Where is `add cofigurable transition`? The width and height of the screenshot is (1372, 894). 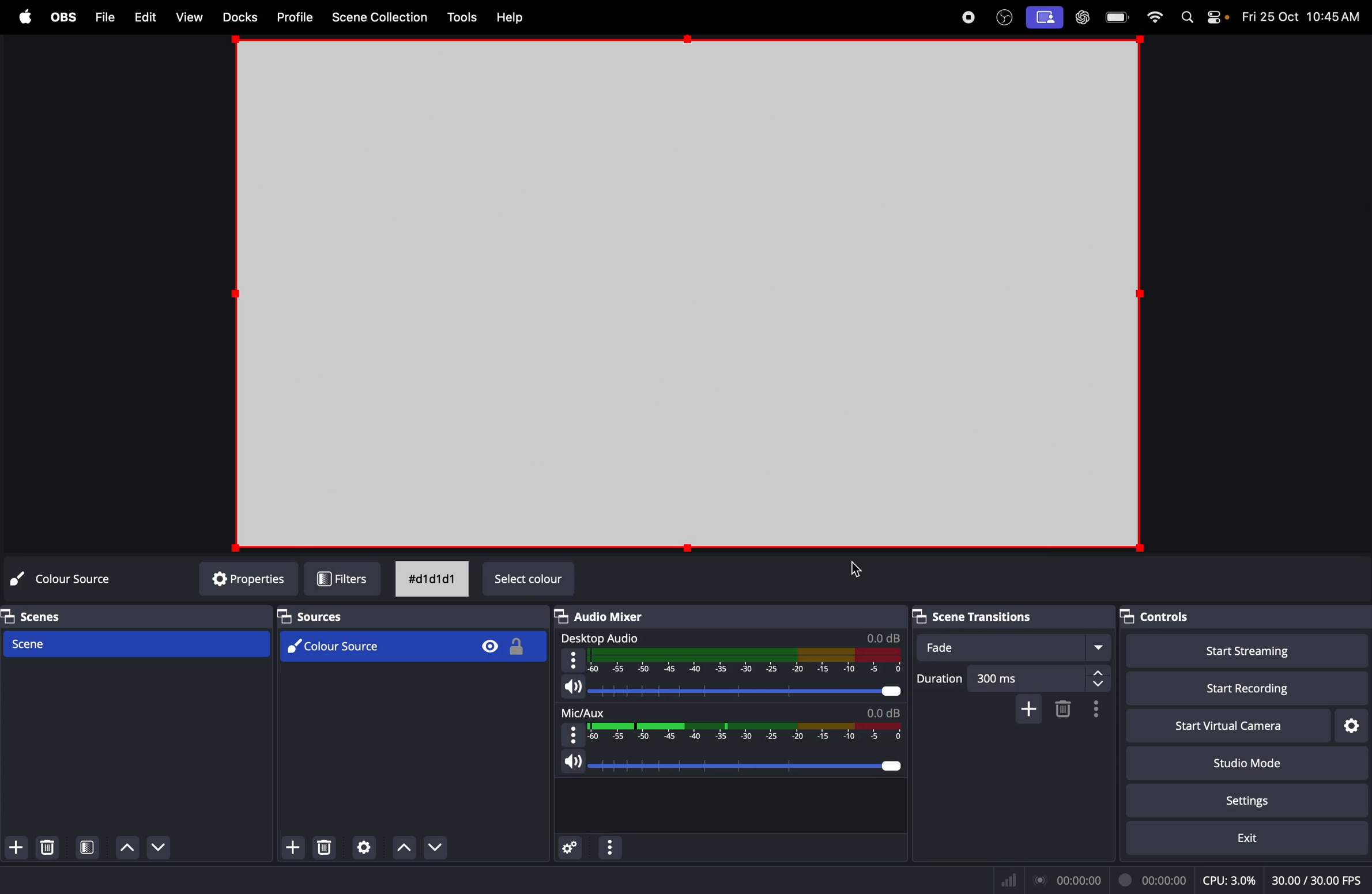 add cofigurable transition is located at coordinates (1028, 709).